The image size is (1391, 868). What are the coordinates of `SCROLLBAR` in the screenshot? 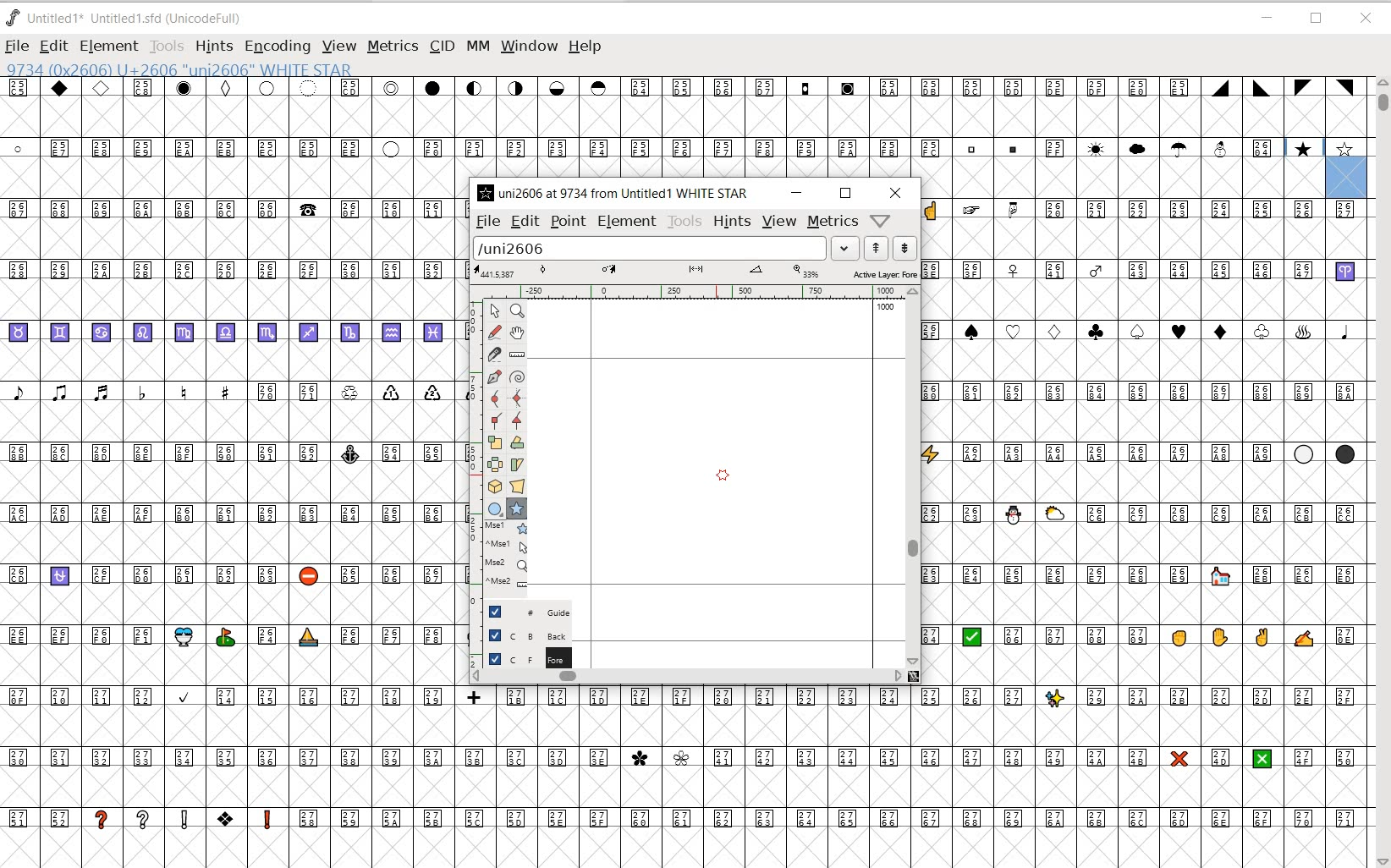 It's located at (913, 475).